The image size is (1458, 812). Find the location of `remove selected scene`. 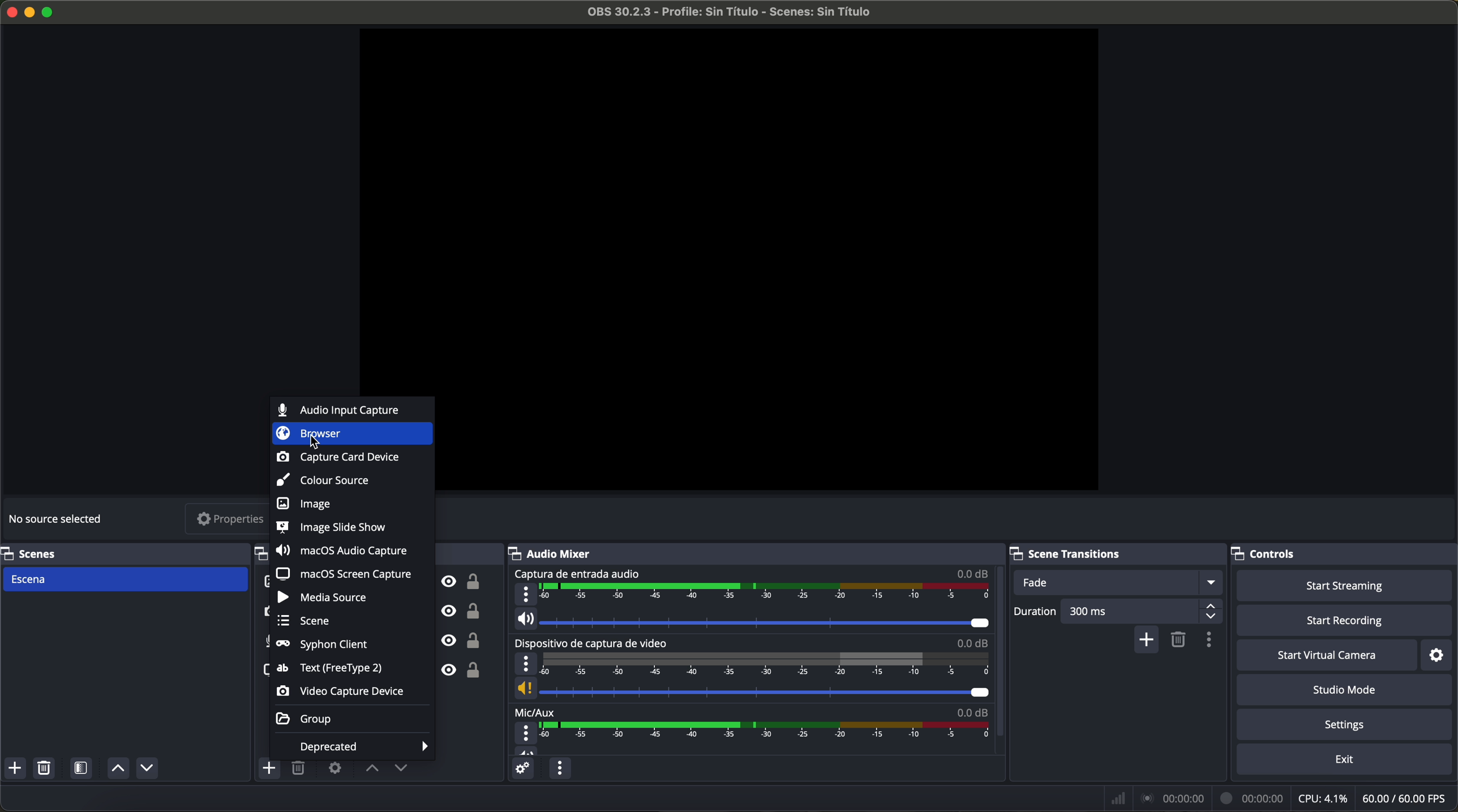

remove selected scene is located at coordinates (1179, 641).